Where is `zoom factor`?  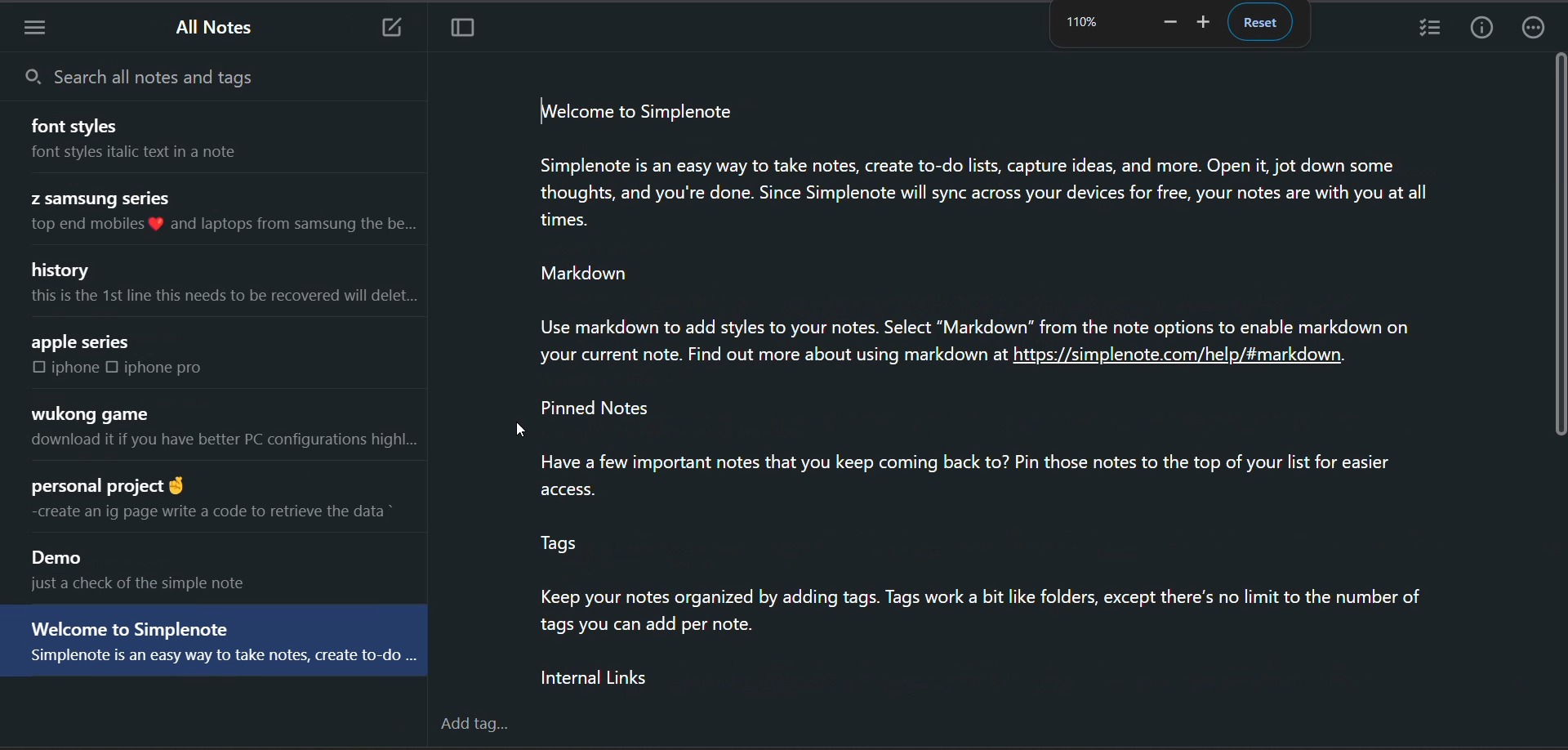
zoom factor is located at coordinates (1080, 21).